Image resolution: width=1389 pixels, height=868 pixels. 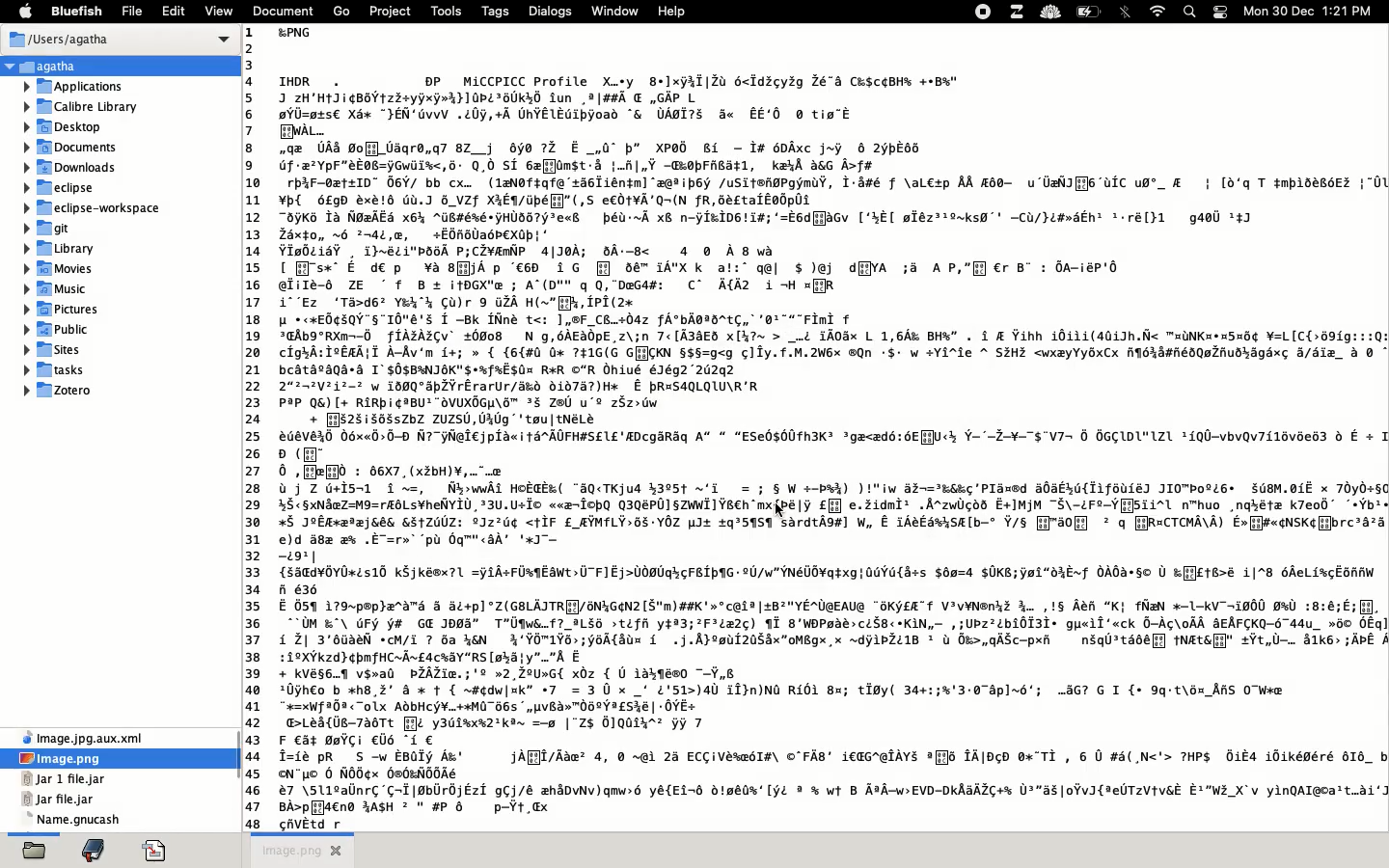 What do you see at coordinates (87, 739) in the screenshot?
I see `file name and extension` at bounding box center [87, 739].